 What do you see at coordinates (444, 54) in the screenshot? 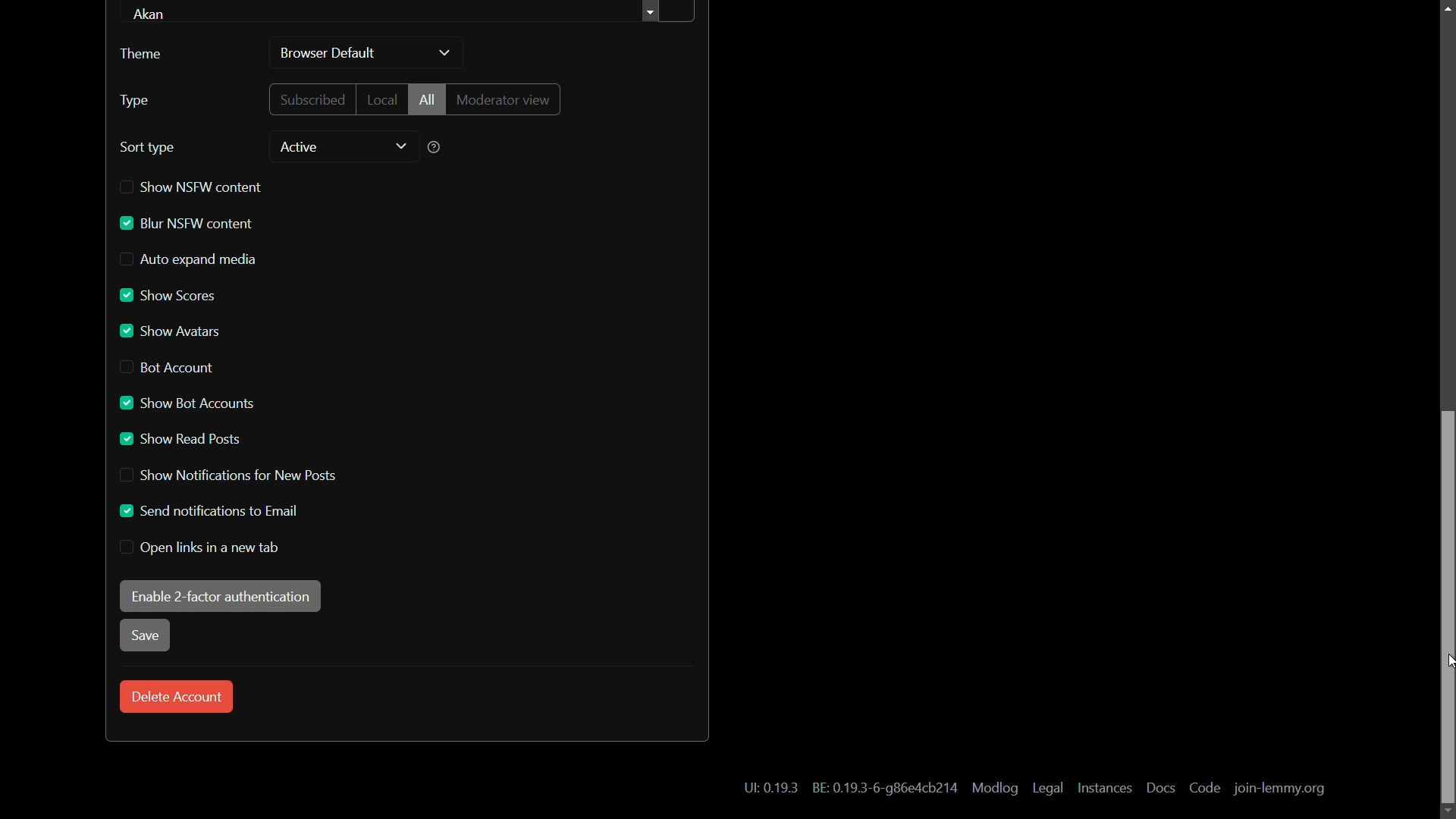
I see `dropdown` at bounding box center [444, 54].